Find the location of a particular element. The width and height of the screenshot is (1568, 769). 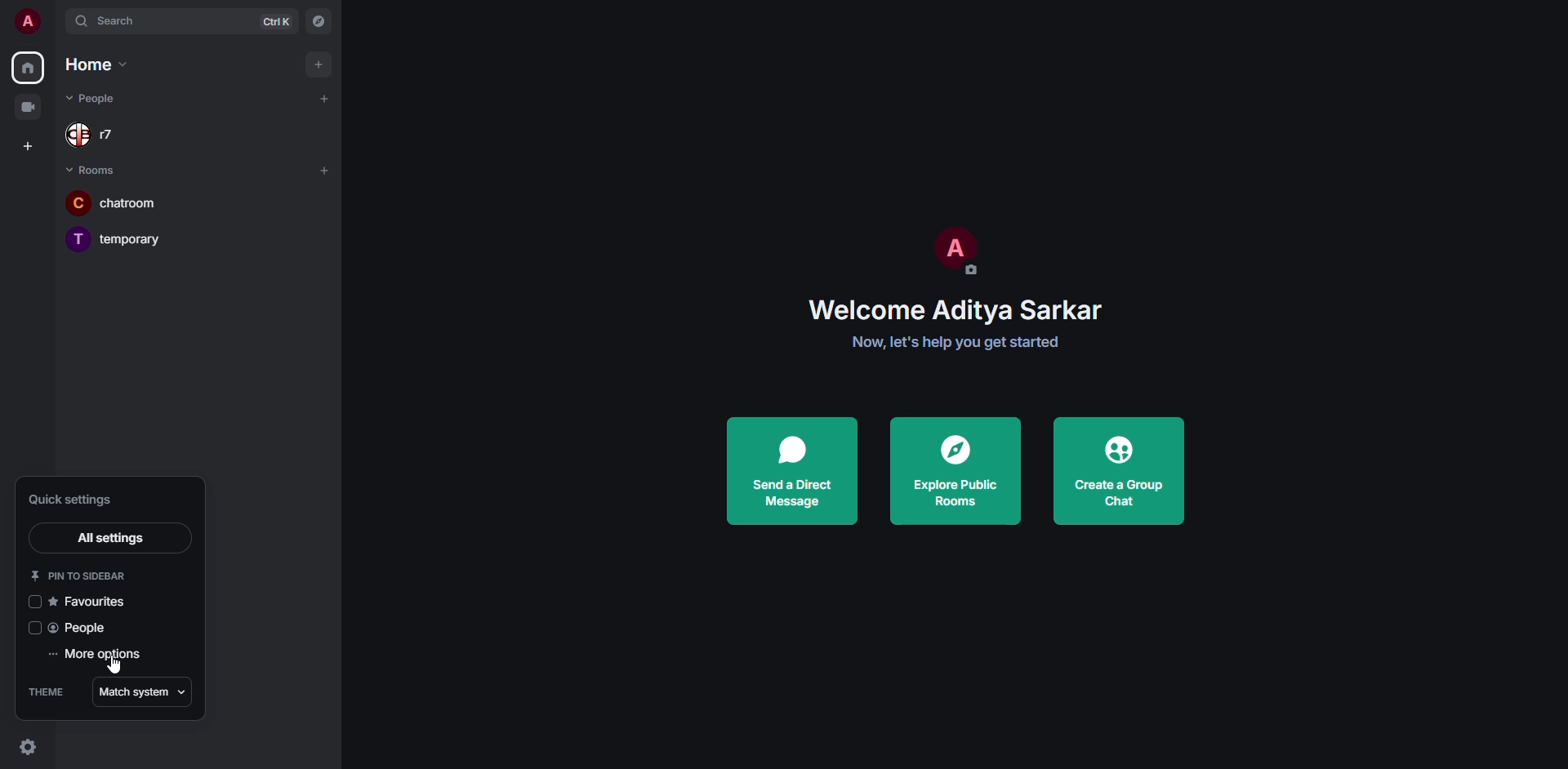

search is located at coordinates (120, 21).